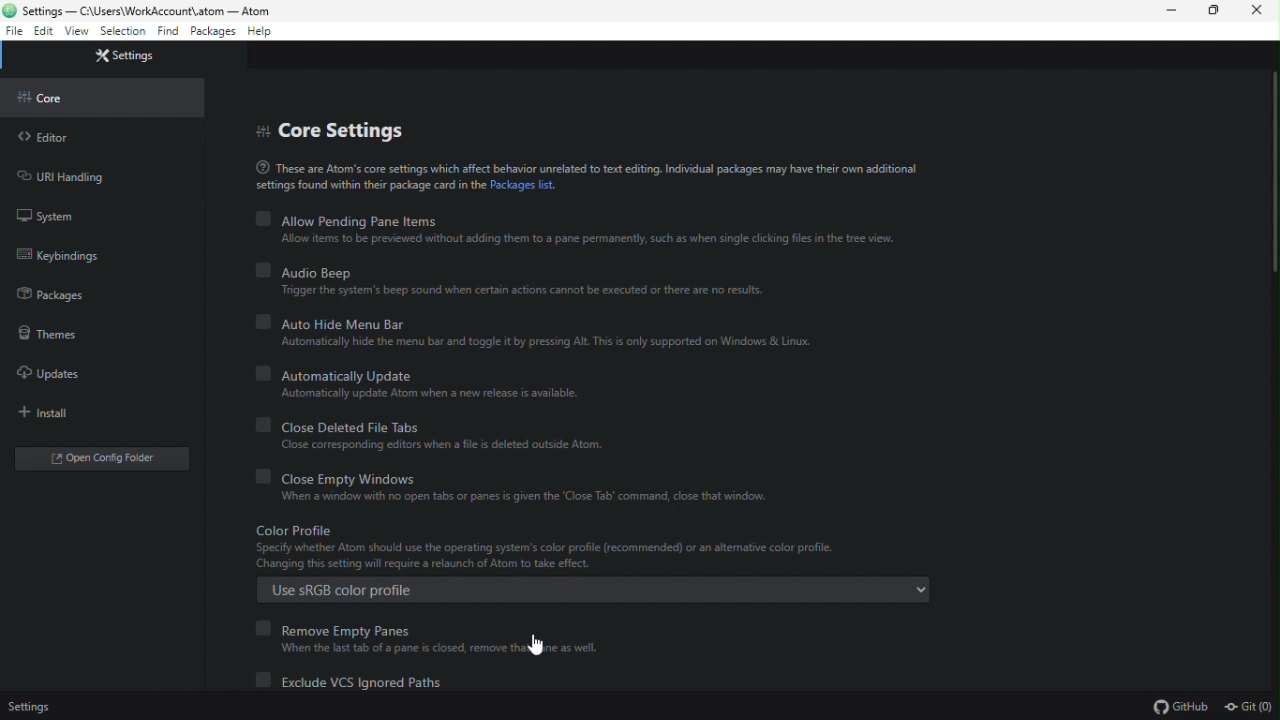  Describe the element at coordinates (1268, 245) in the screenshot. I see `slider` at that location.